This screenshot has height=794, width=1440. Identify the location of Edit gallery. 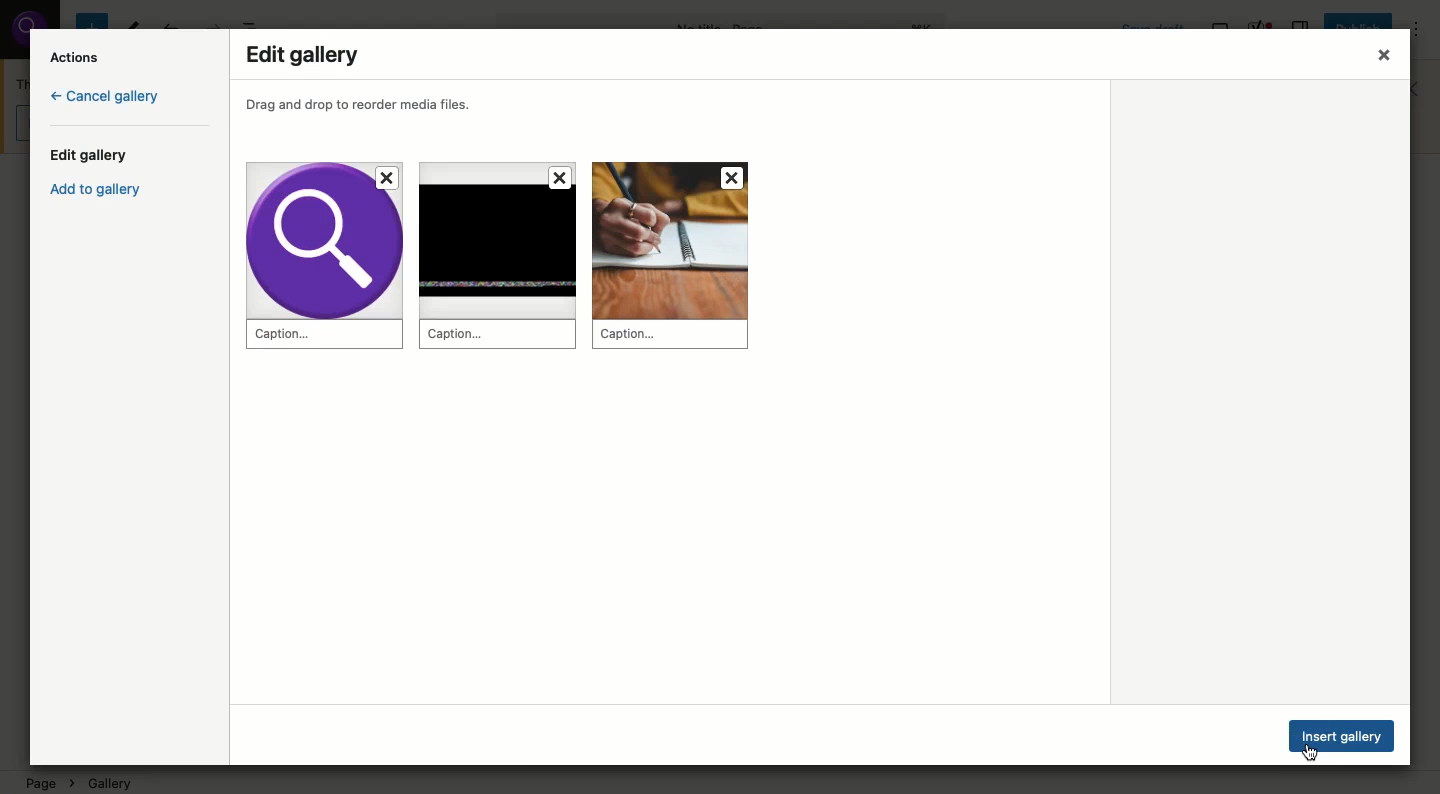
(307, 54).